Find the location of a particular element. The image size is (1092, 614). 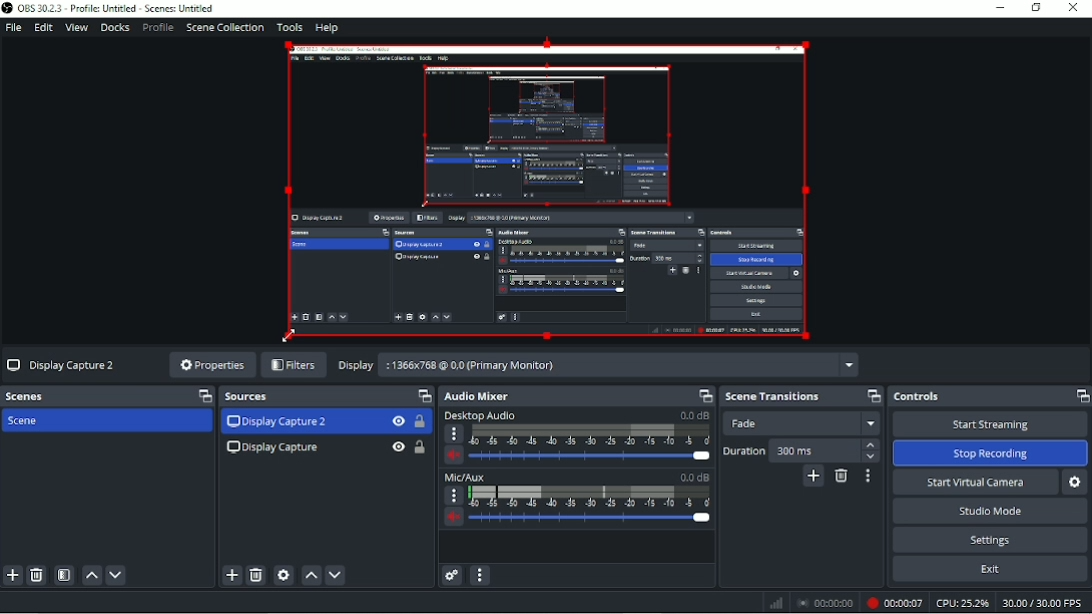

Audio Mixer is located at coordinates (487, 396).